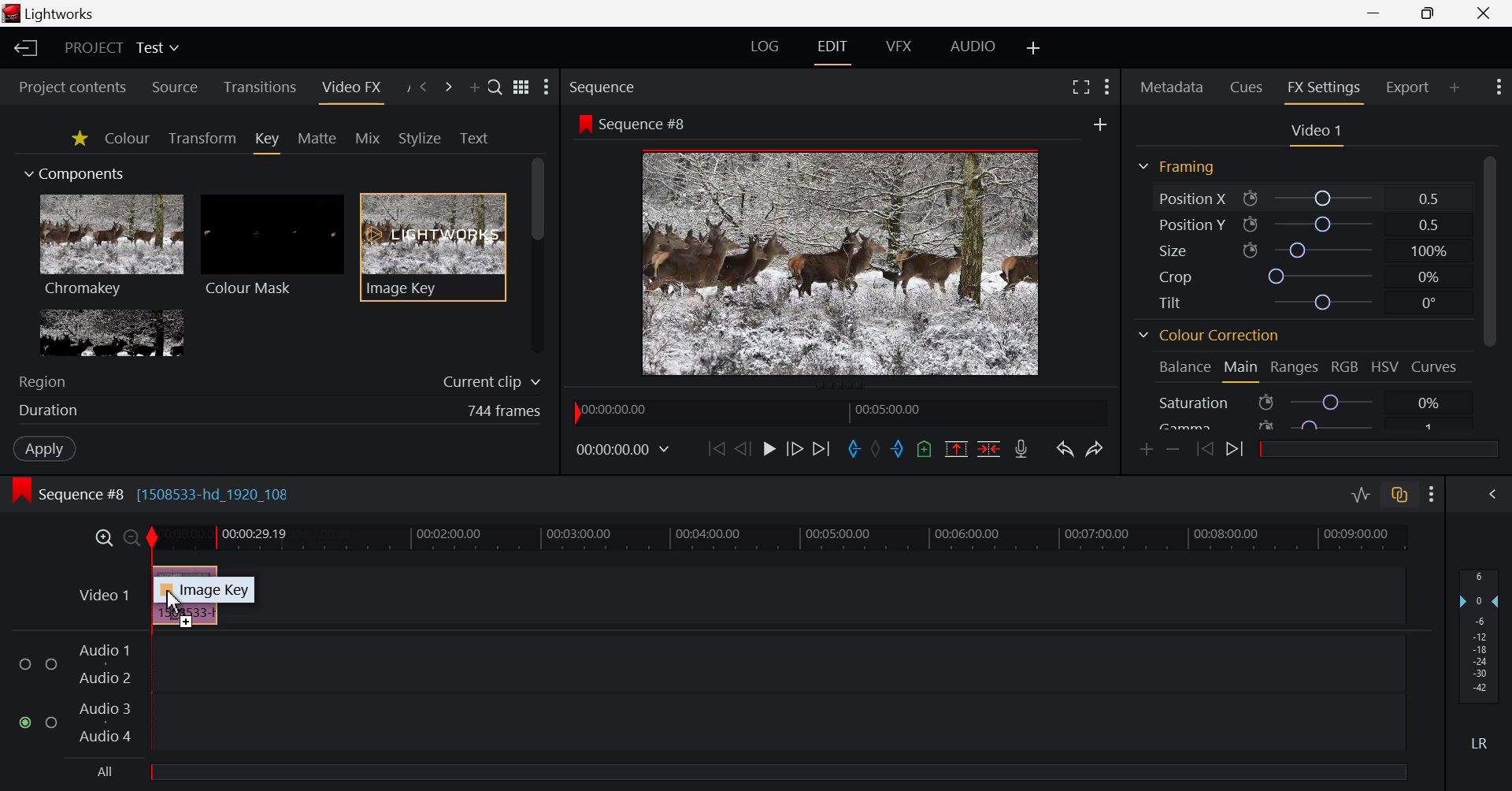  I want to click on Chromakey, so click(112, 248).